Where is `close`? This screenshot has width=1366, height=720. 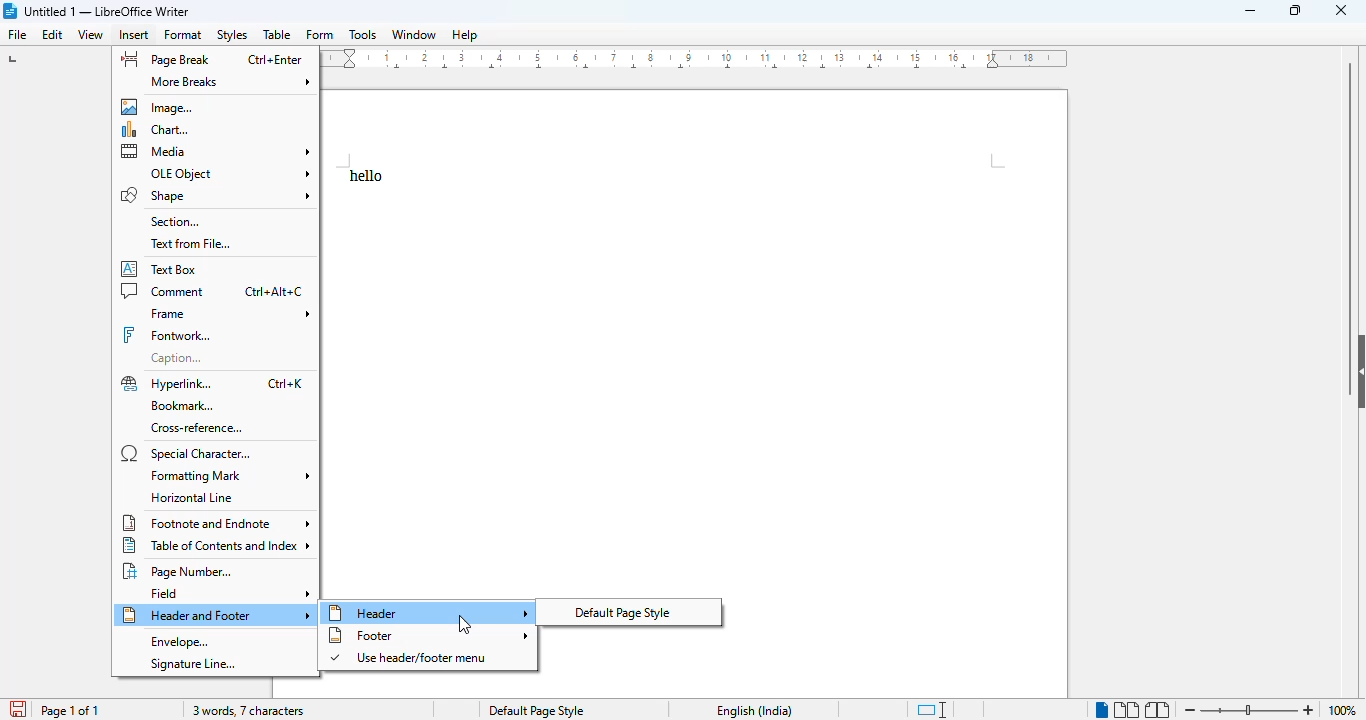
close is located at coordinates (1340, 11).